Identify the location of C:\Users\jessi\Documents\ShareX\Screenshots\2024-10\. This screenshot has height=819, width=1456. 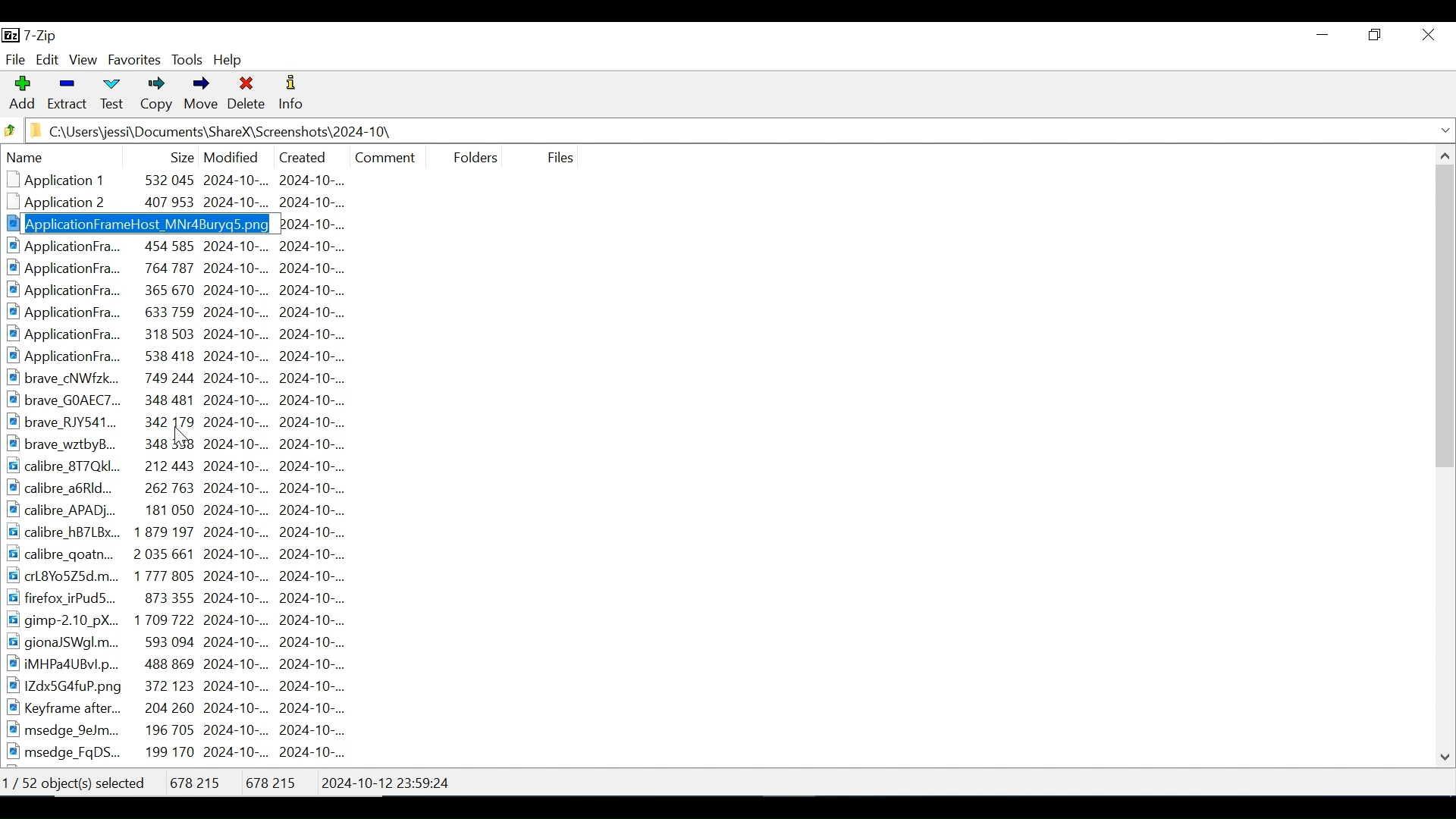
(224, 131).